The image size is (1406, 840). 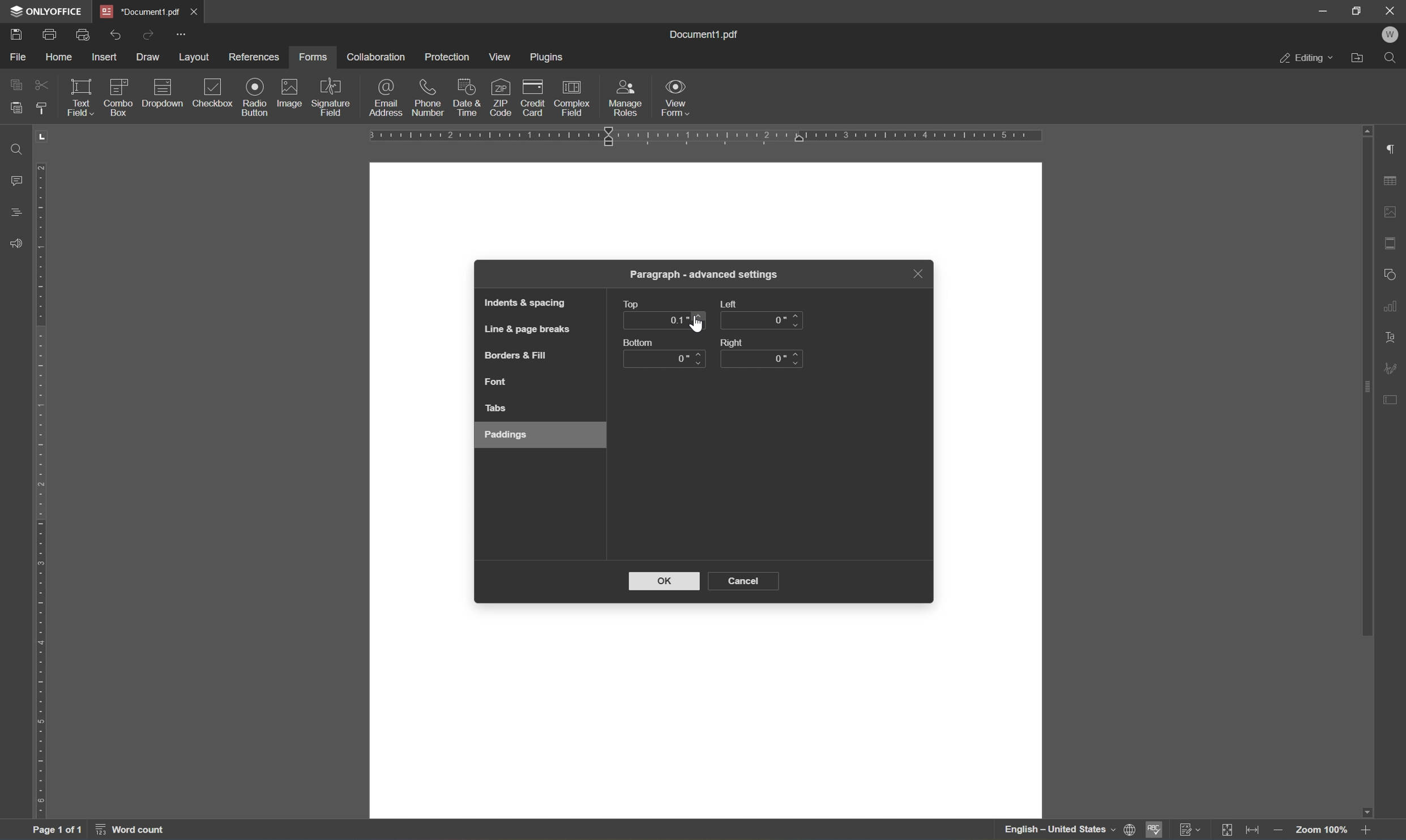 What do you see at coordinates (626, 97) in the screenshot?
I see `manage roles` at bounding box center [626, 97].